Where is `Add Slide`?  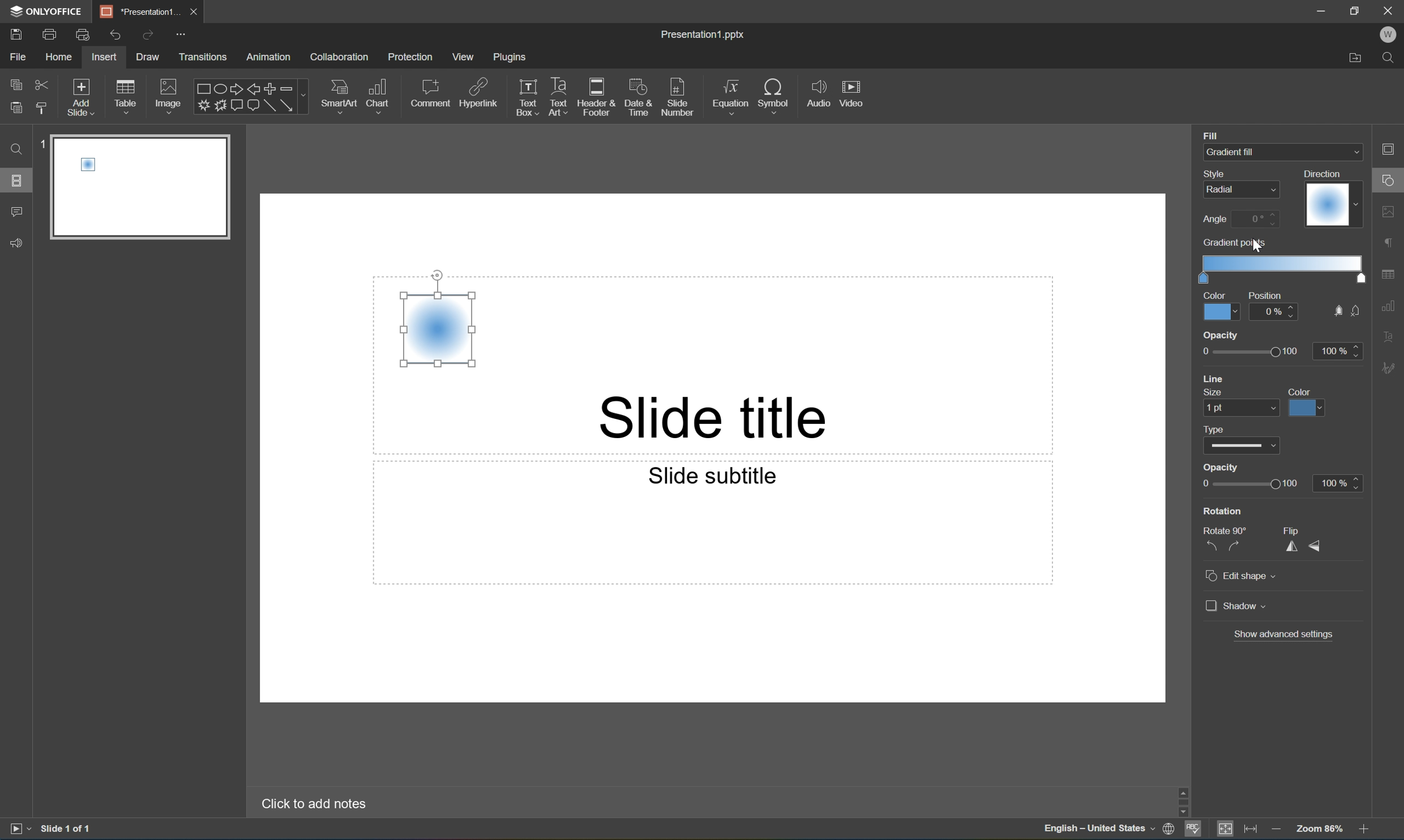
Add Slide is located at coordinates (82, 98).